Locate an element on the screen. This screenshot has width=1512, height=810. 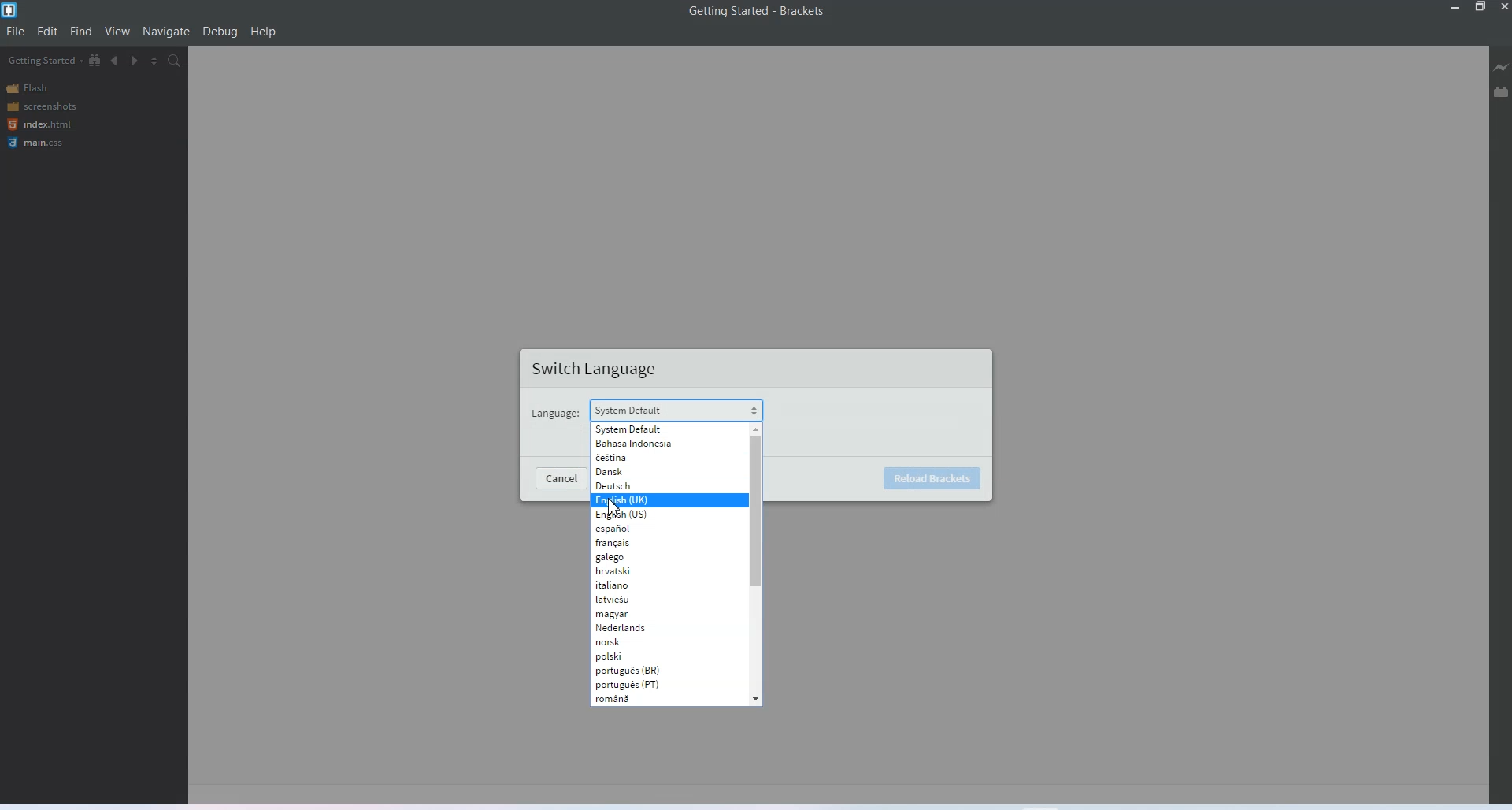
Help is located at coordinates (263, 31).